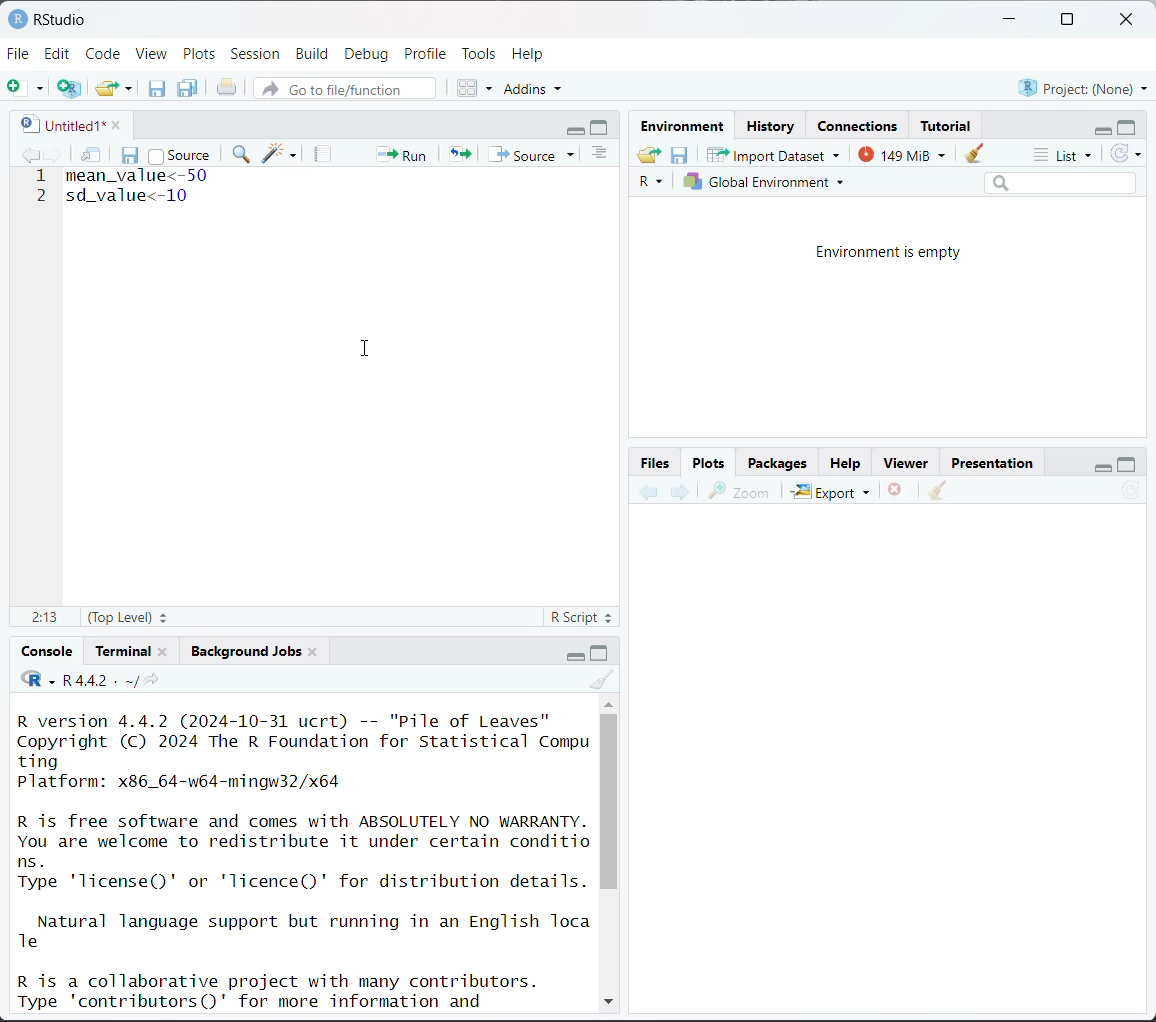 This screenshot has height=1022, width=1156. What do you see at coordinates (603, 155) in the screenshot?
I see `show document outline` at bounding box center [603, 155].